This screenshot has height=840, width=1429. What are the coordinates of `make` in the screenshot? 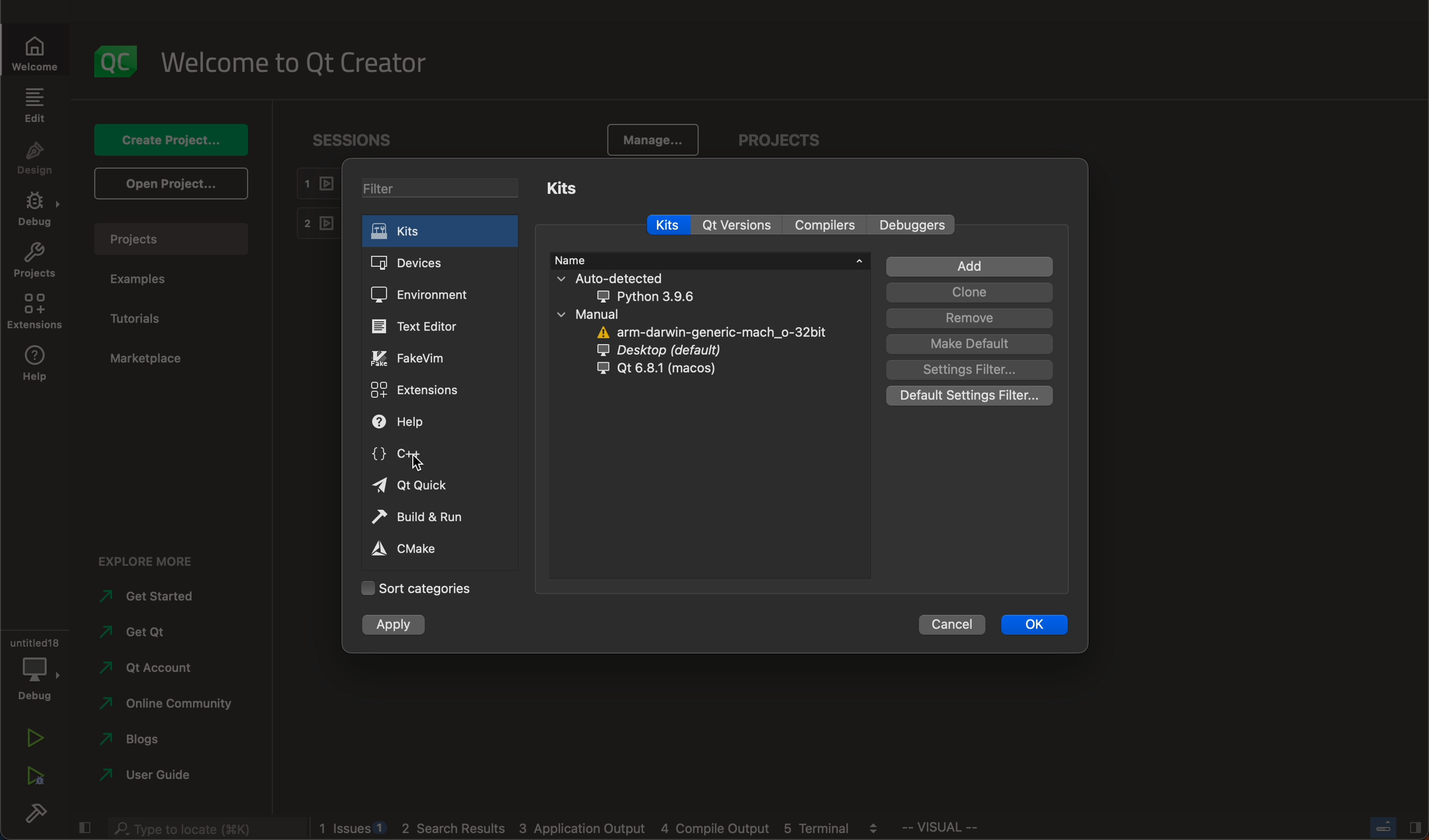 It's located at (968, 344).